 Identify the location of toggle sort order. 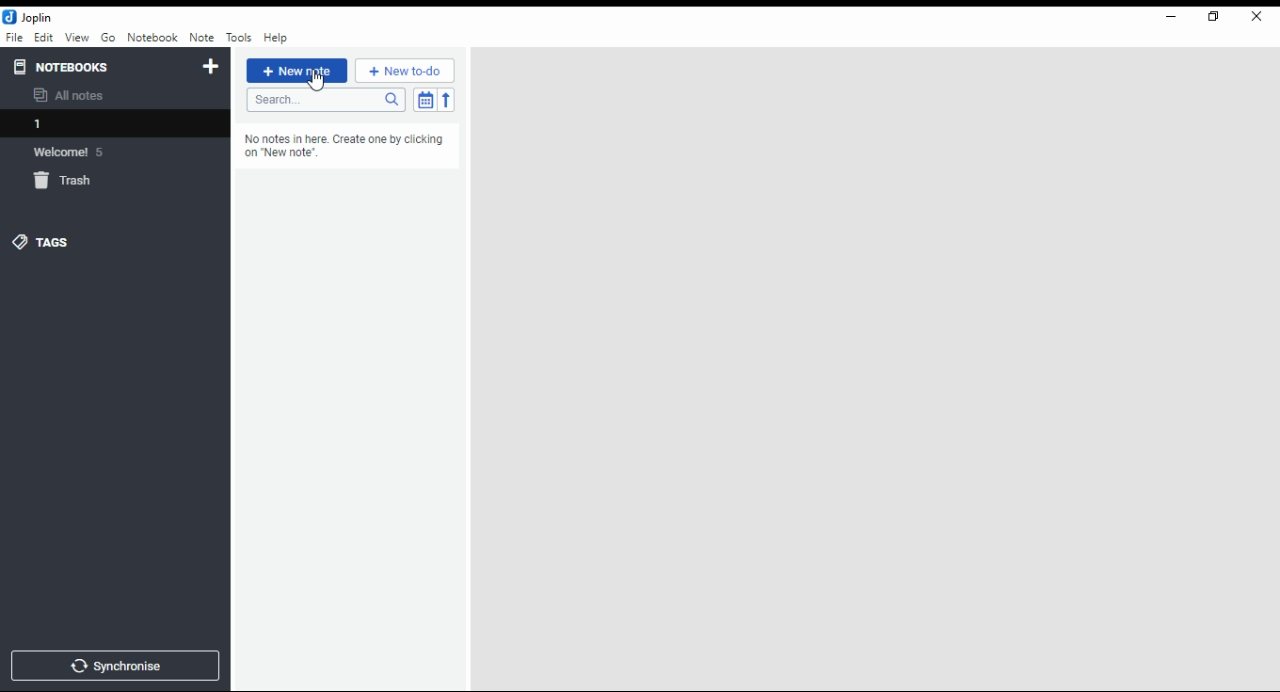
(424, 99).